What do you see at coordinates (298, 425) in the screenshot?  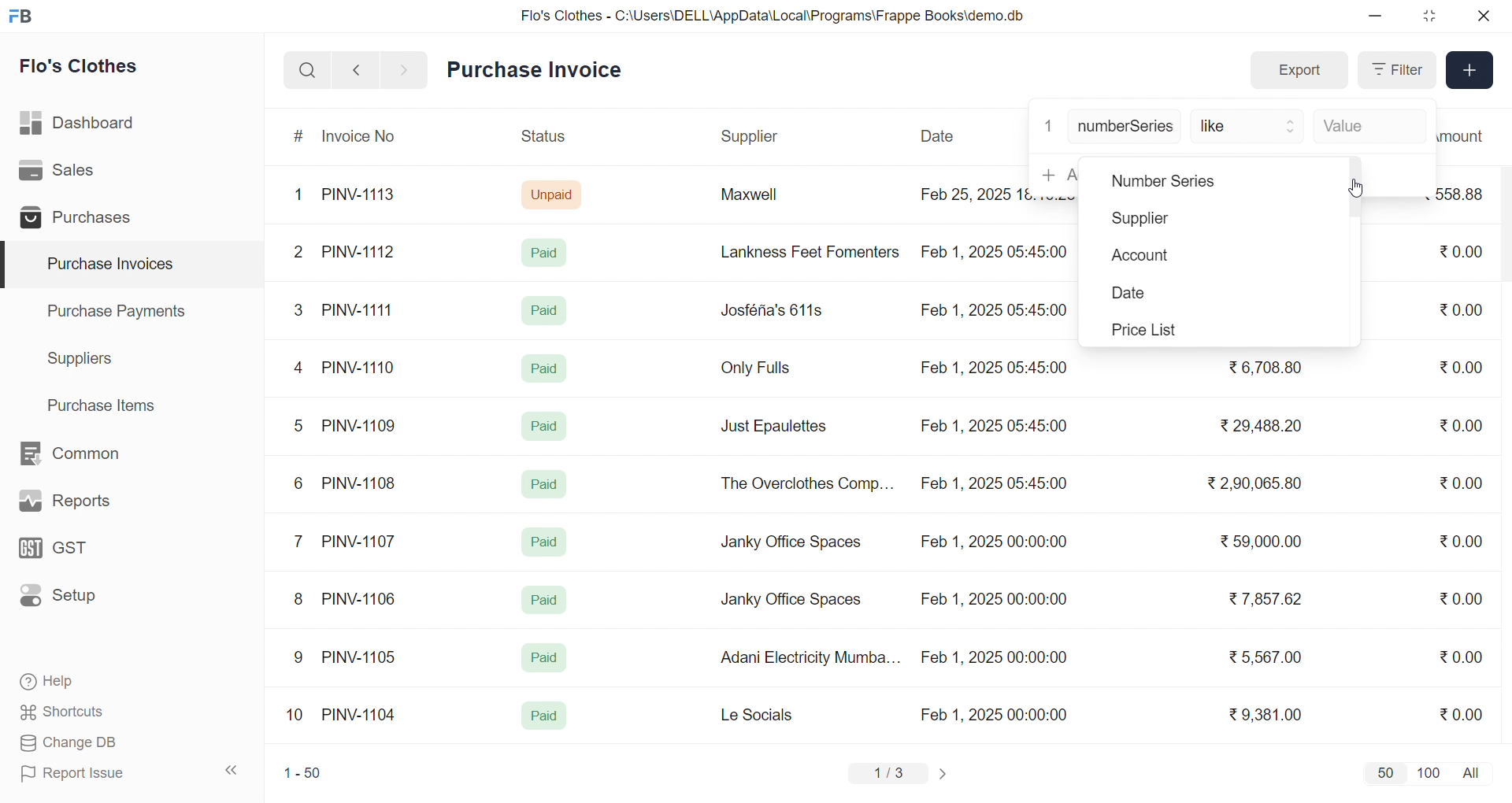 I see `5` at bounding box center [298, 425].